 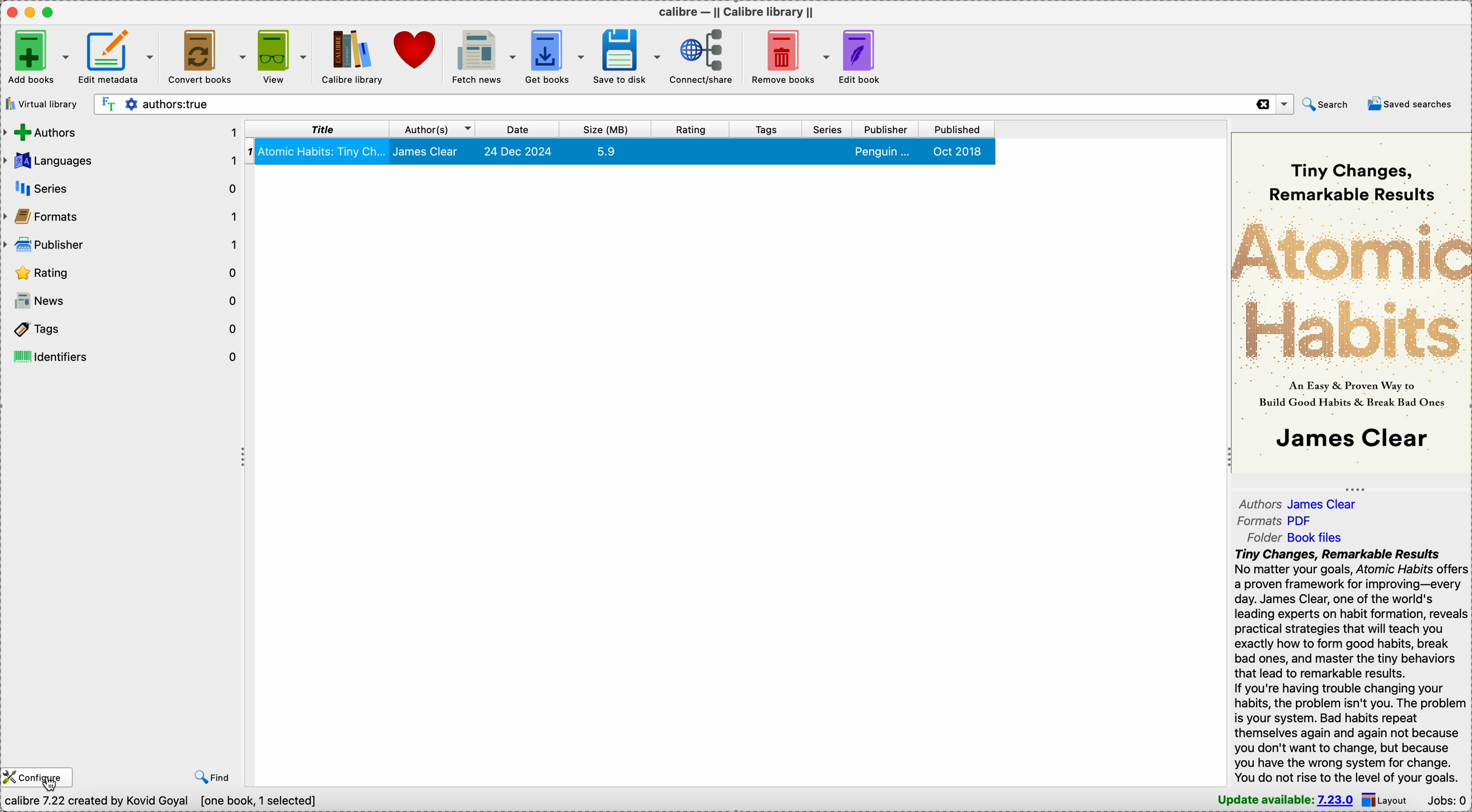 I want to click on penguin..., so click(x=885, y=151).